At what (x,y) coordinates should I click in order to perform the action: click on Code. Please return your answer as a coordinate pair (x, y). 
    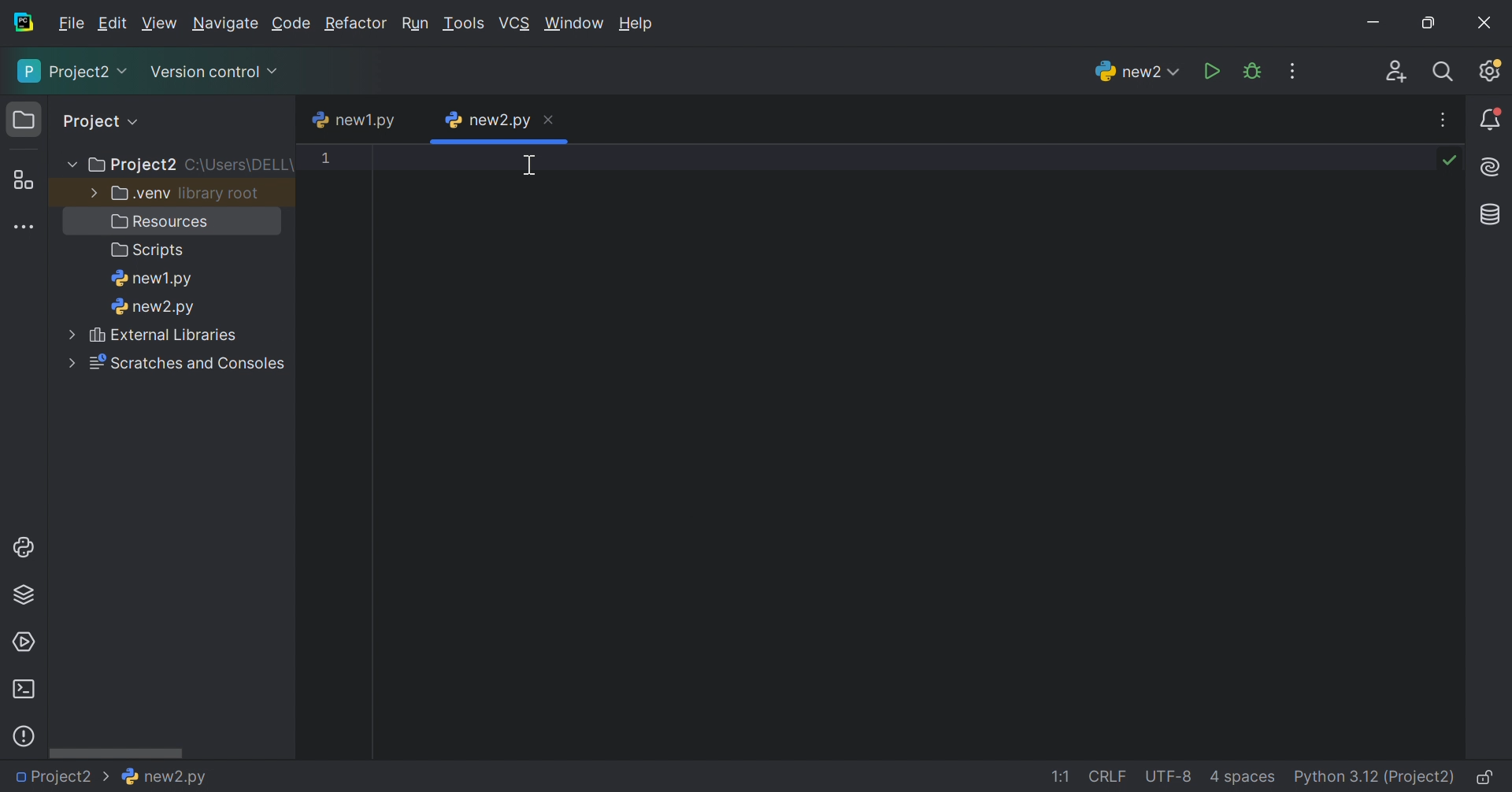
    Looking at the image, I should click on (291, 24).